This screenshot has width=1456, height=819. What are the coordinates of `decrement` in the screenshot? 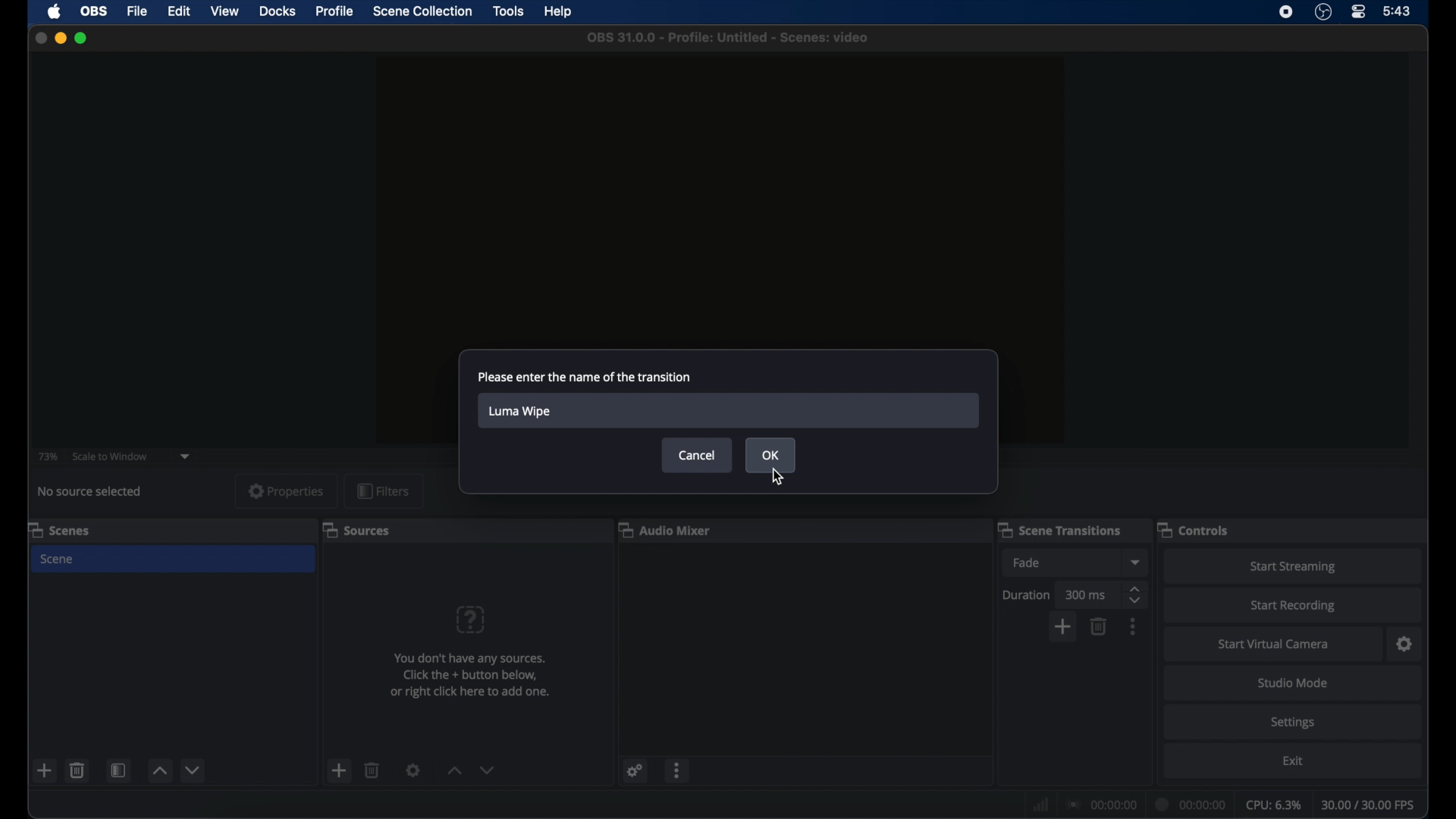 It's located at (490, 770).